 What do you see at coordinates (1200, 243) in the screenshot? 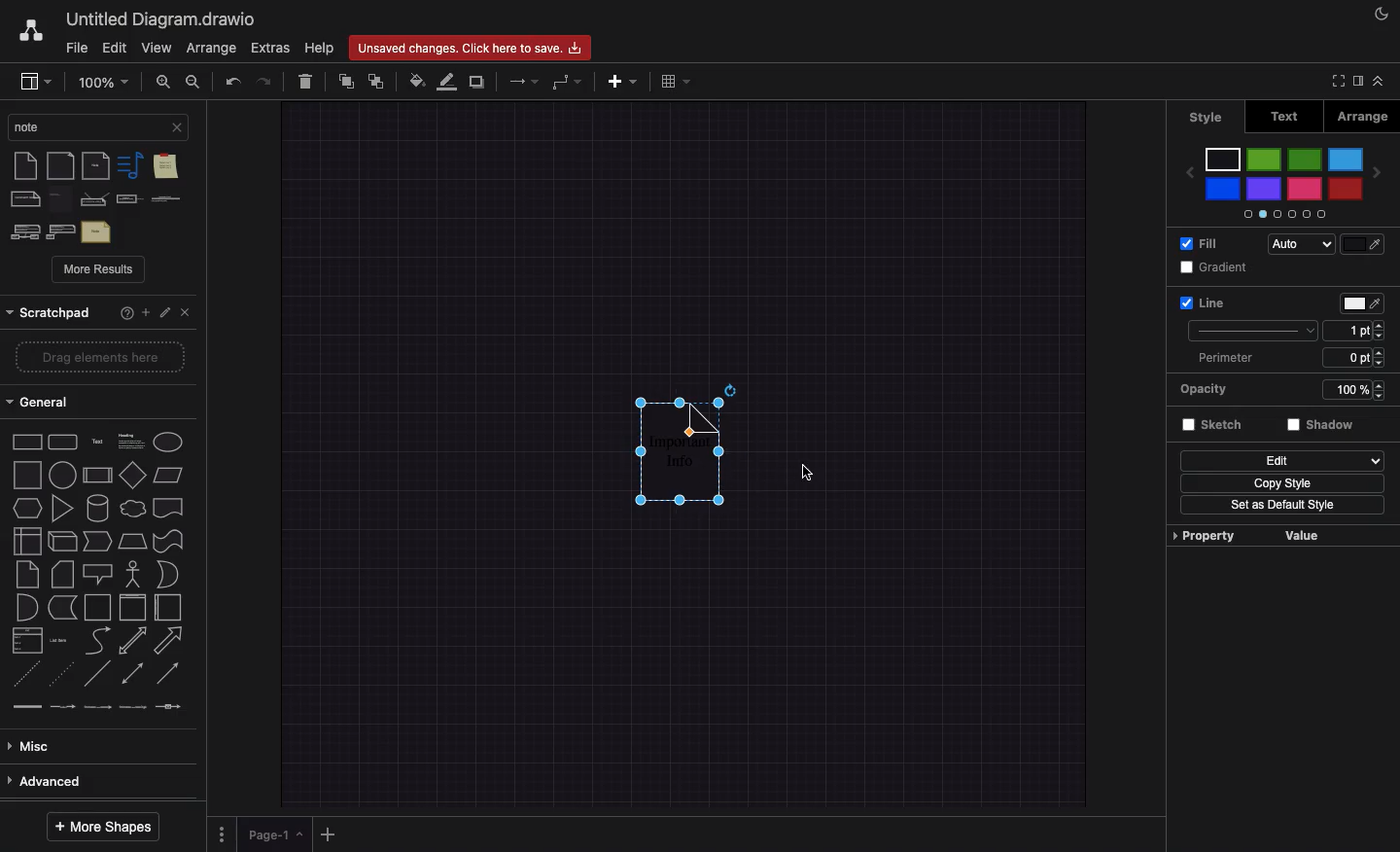
I see `Fill` at bounding box center [1200, 243].